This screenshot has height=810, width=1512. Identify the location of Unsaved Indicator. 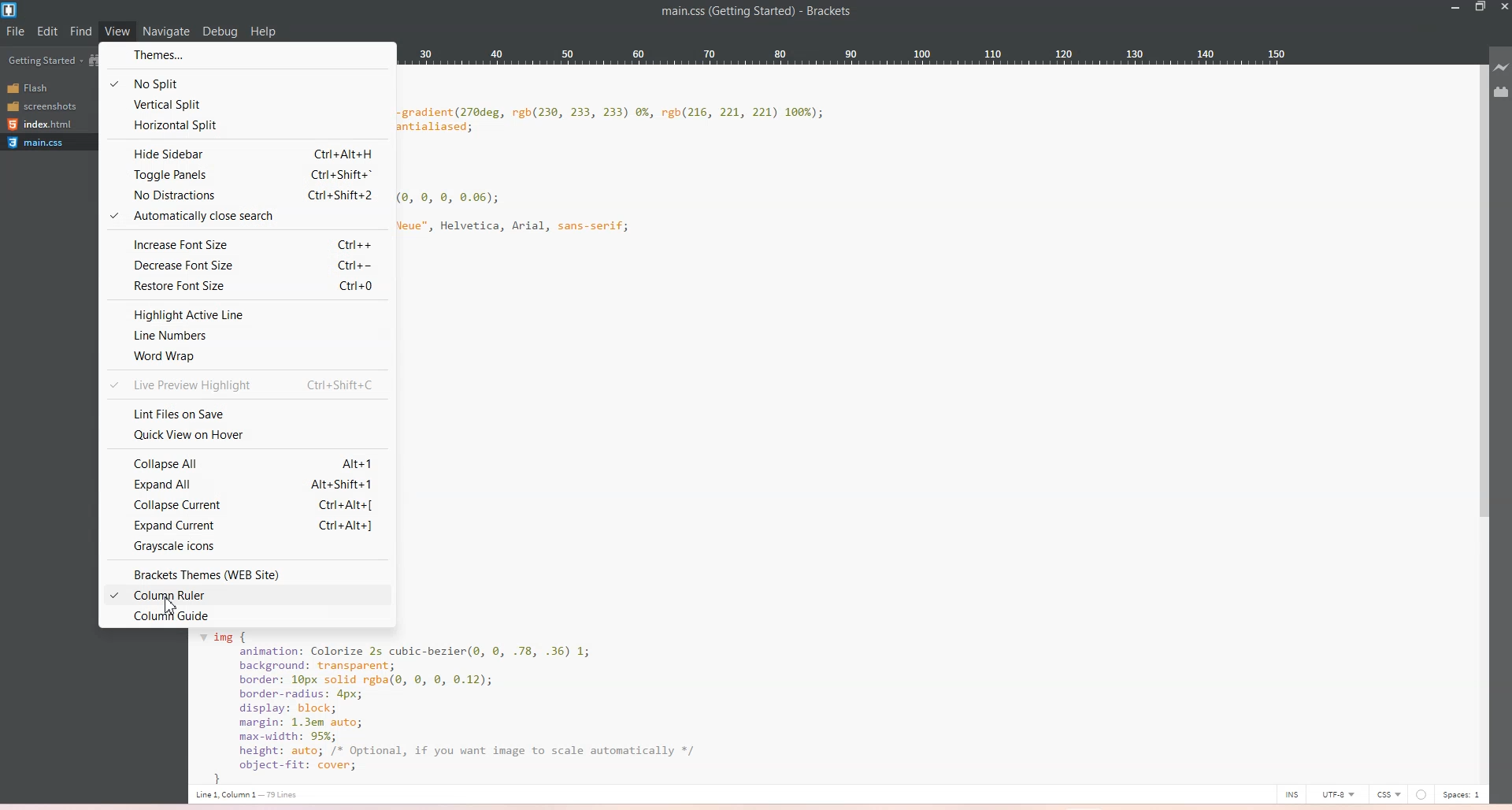
(1418, 793).